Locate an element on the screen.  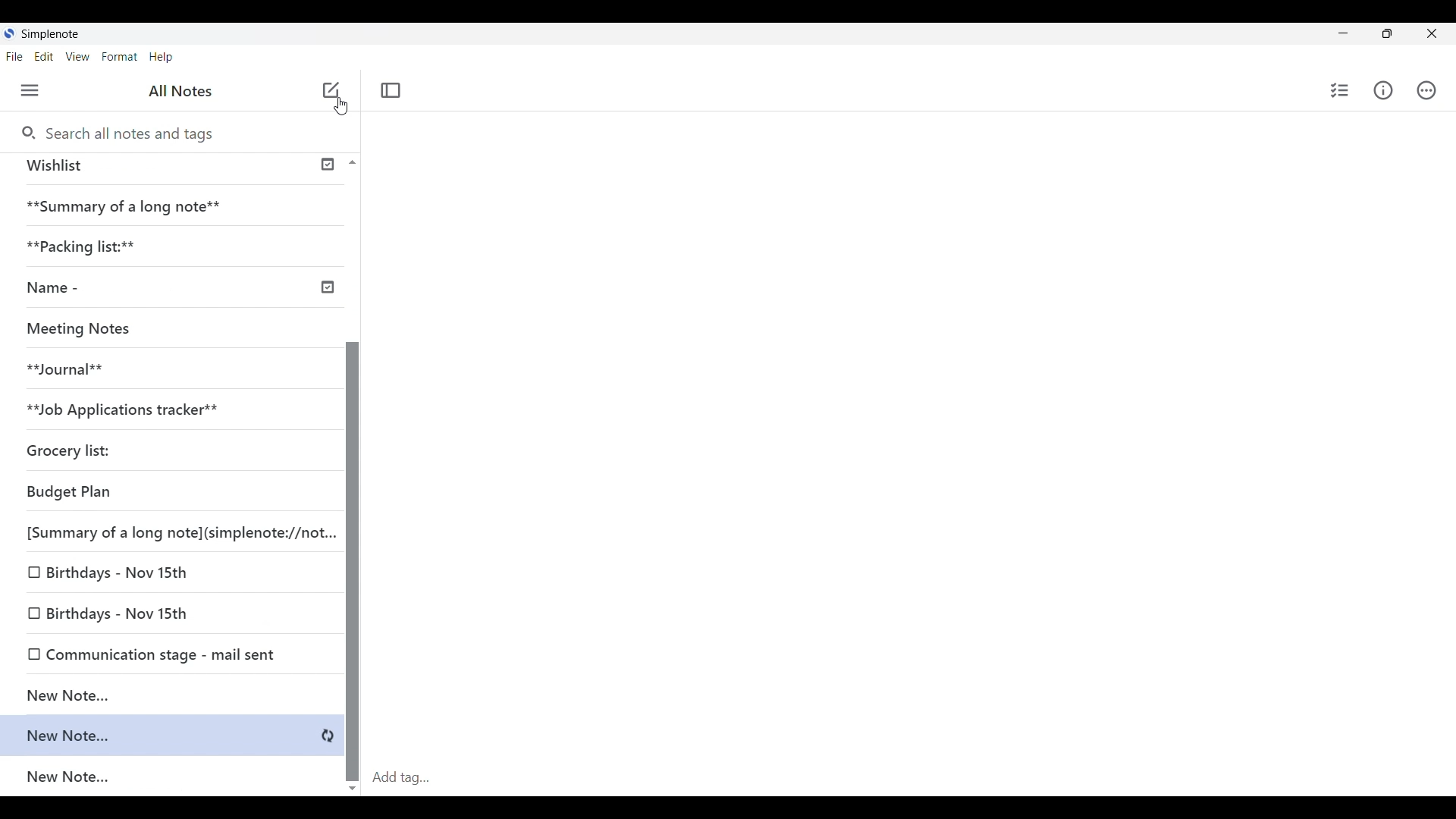
Budget Plan is located at coordinates (146, 494).